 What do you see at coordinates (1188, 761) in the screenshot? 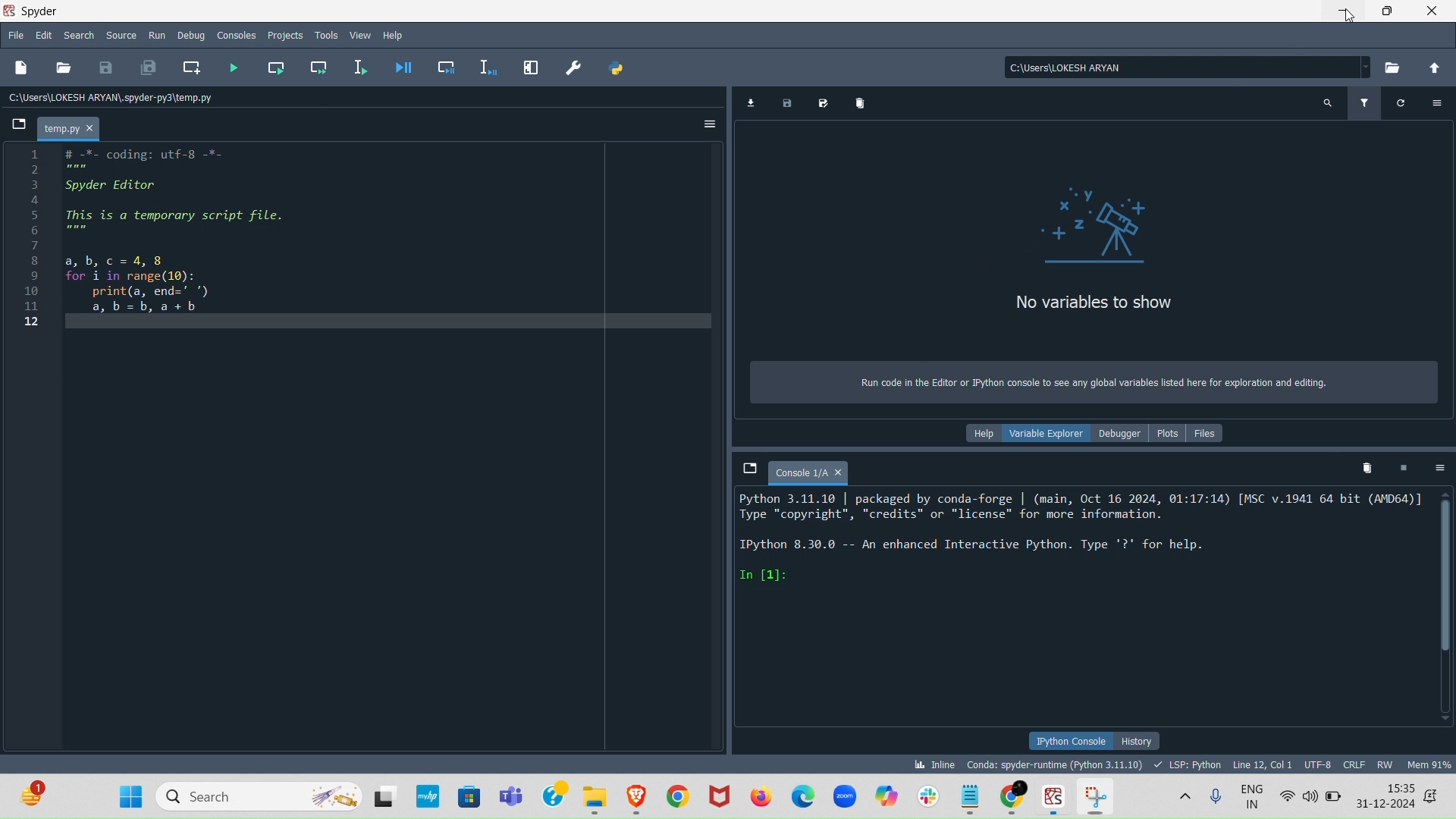
I see `Completions, linting, code folding and symbols status` at bounding box center [1188, 761].